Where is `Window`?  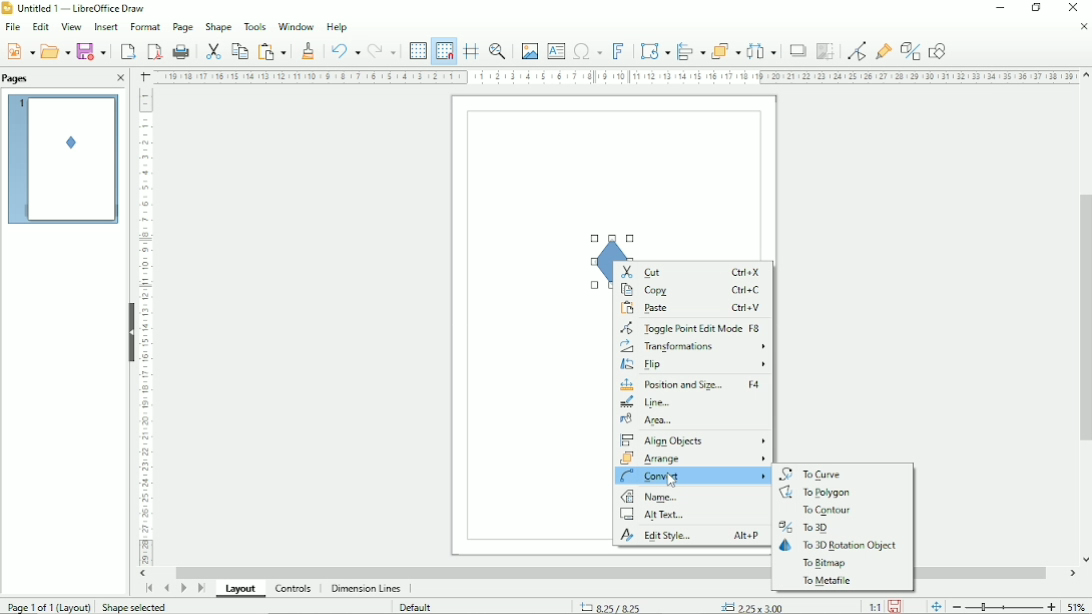 Window is located at coordinates (294, 25).